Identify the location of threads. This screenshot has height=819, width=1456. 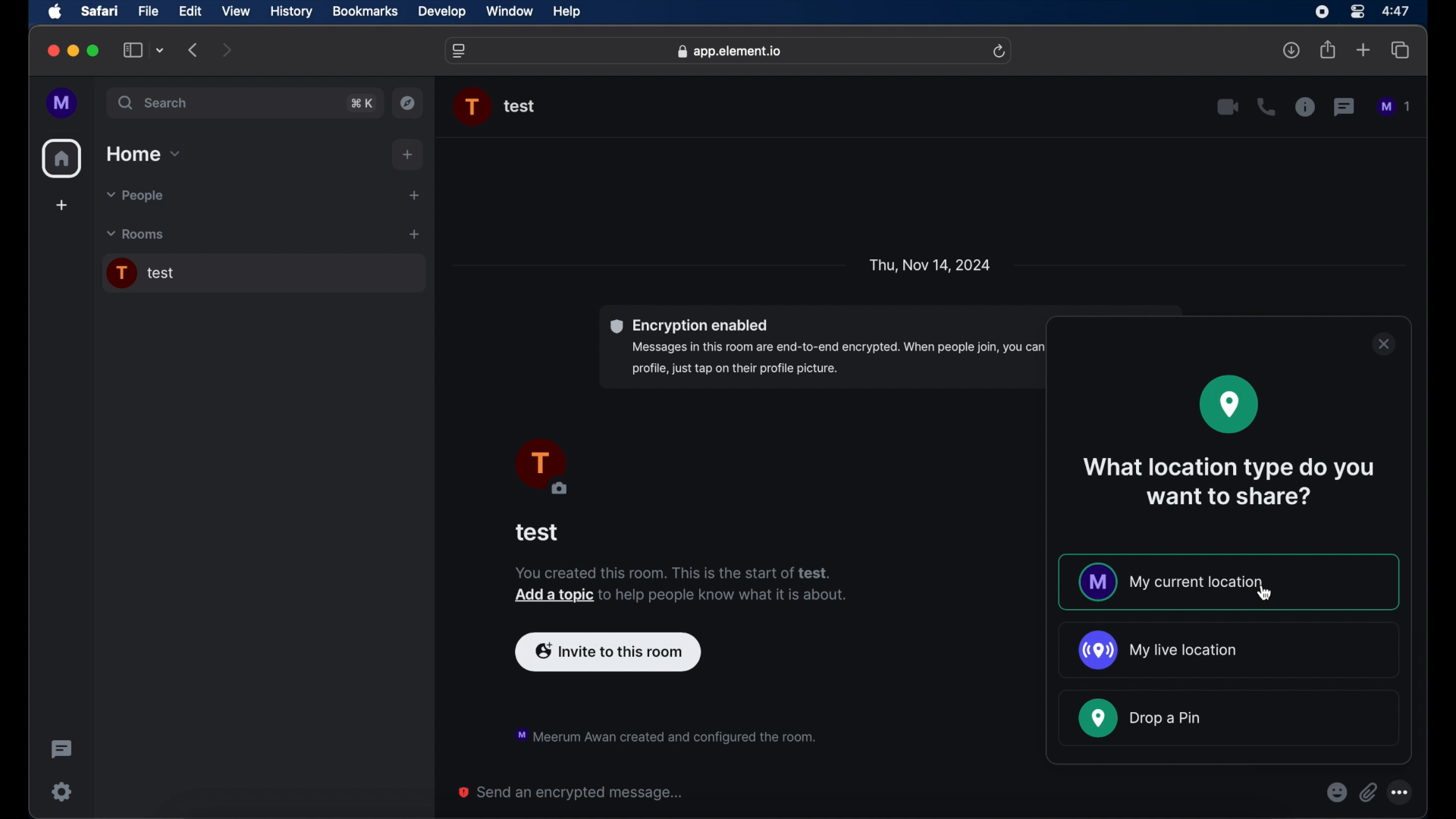
(1345, 107).